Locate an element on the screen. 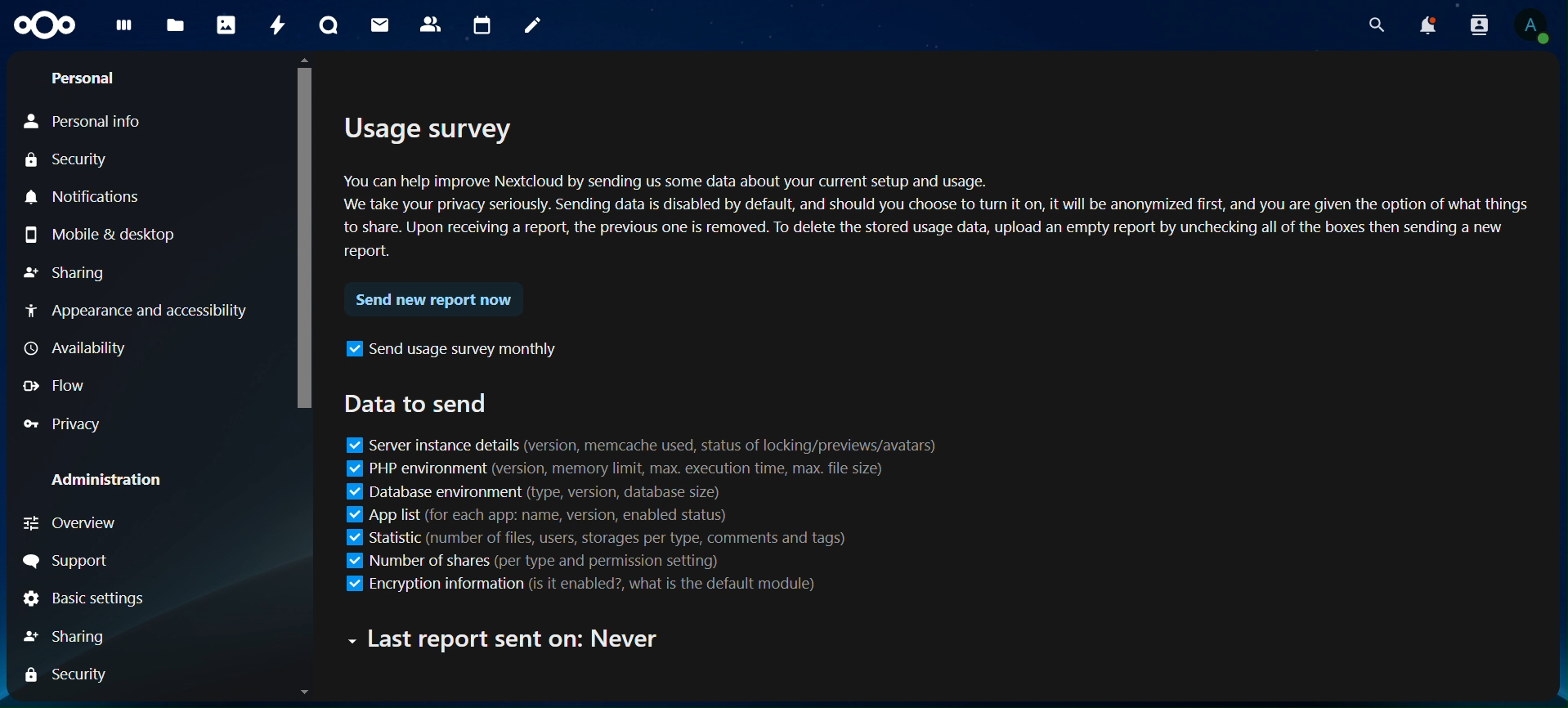 The height and width of the screenshot is (708, 1568). number of shares is located at coordinates (537, 562).